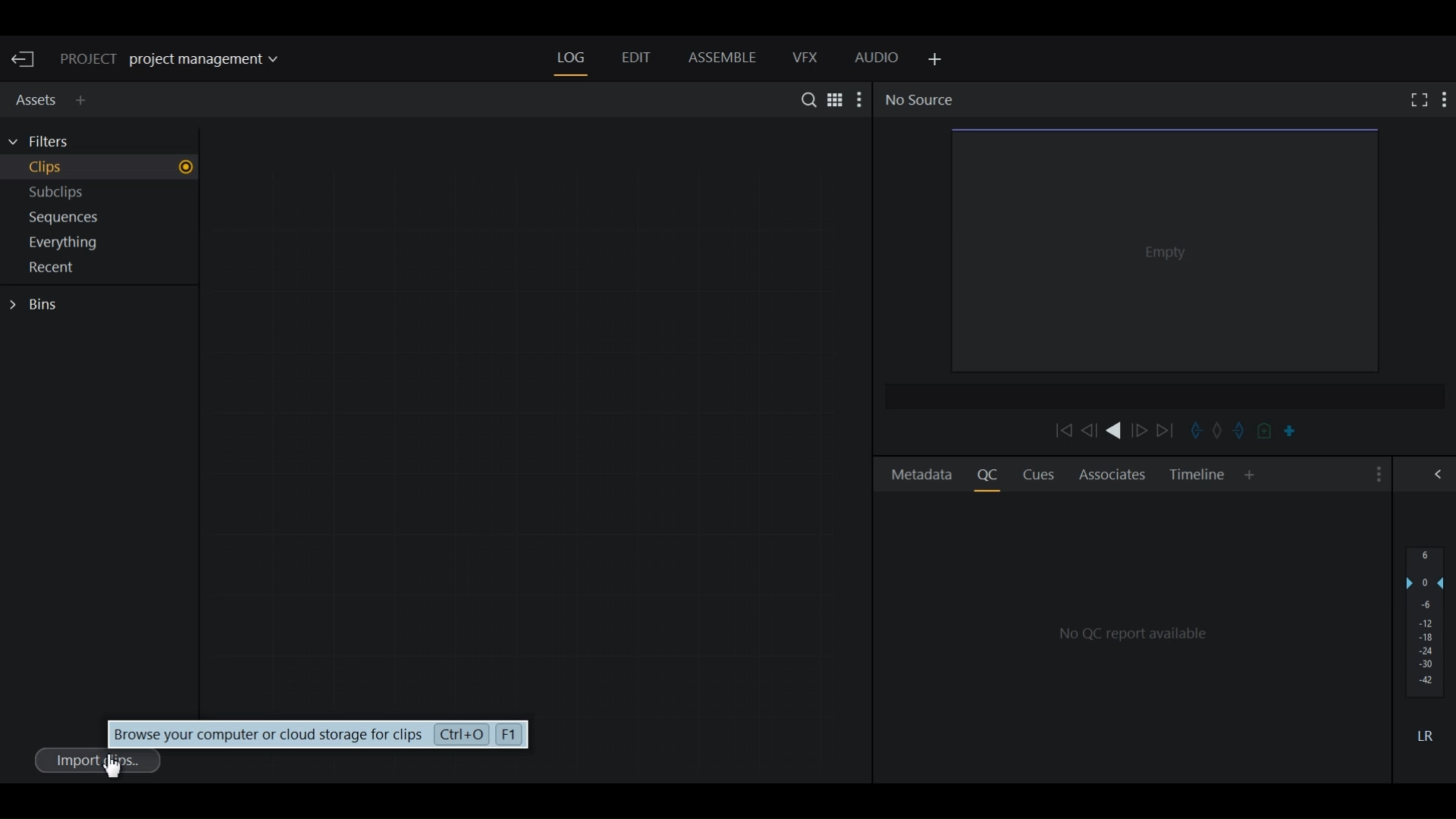  I want to click on Nudge one frame forward, so click(1141, 431).